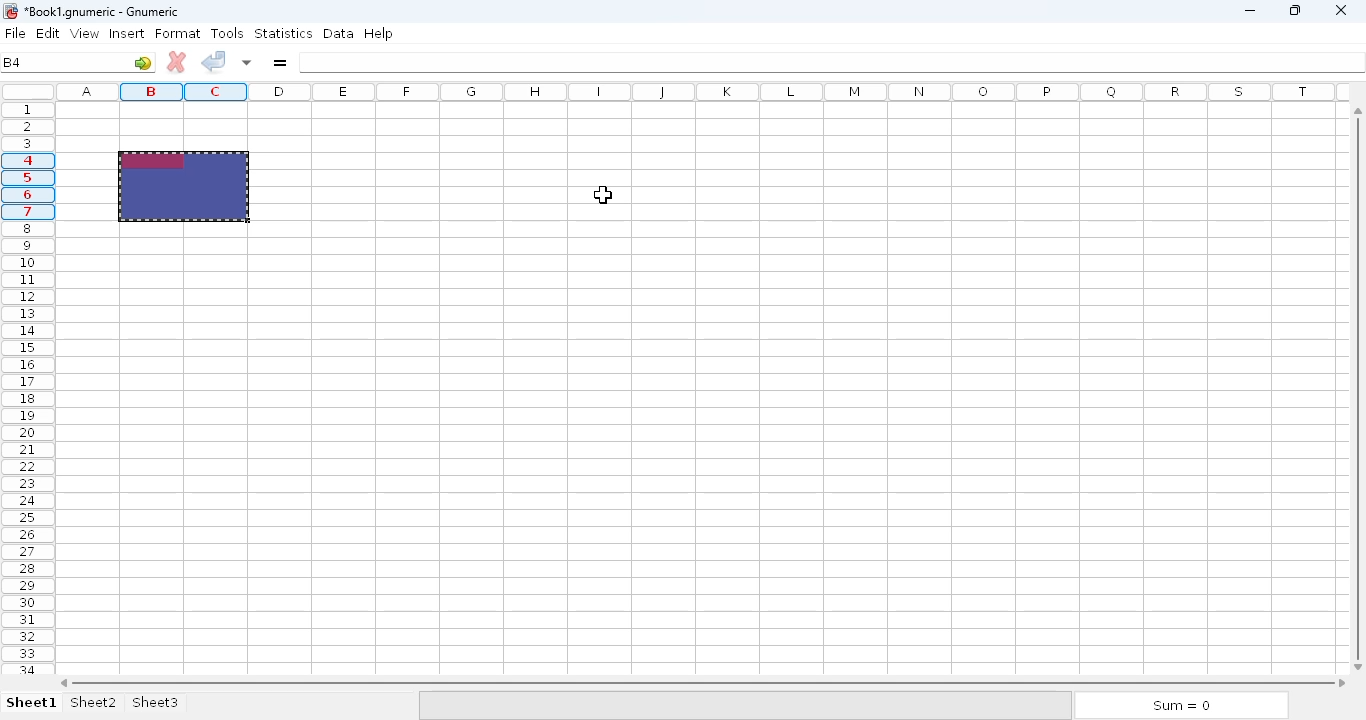  I want to click on sheet3, so click(156, 701).